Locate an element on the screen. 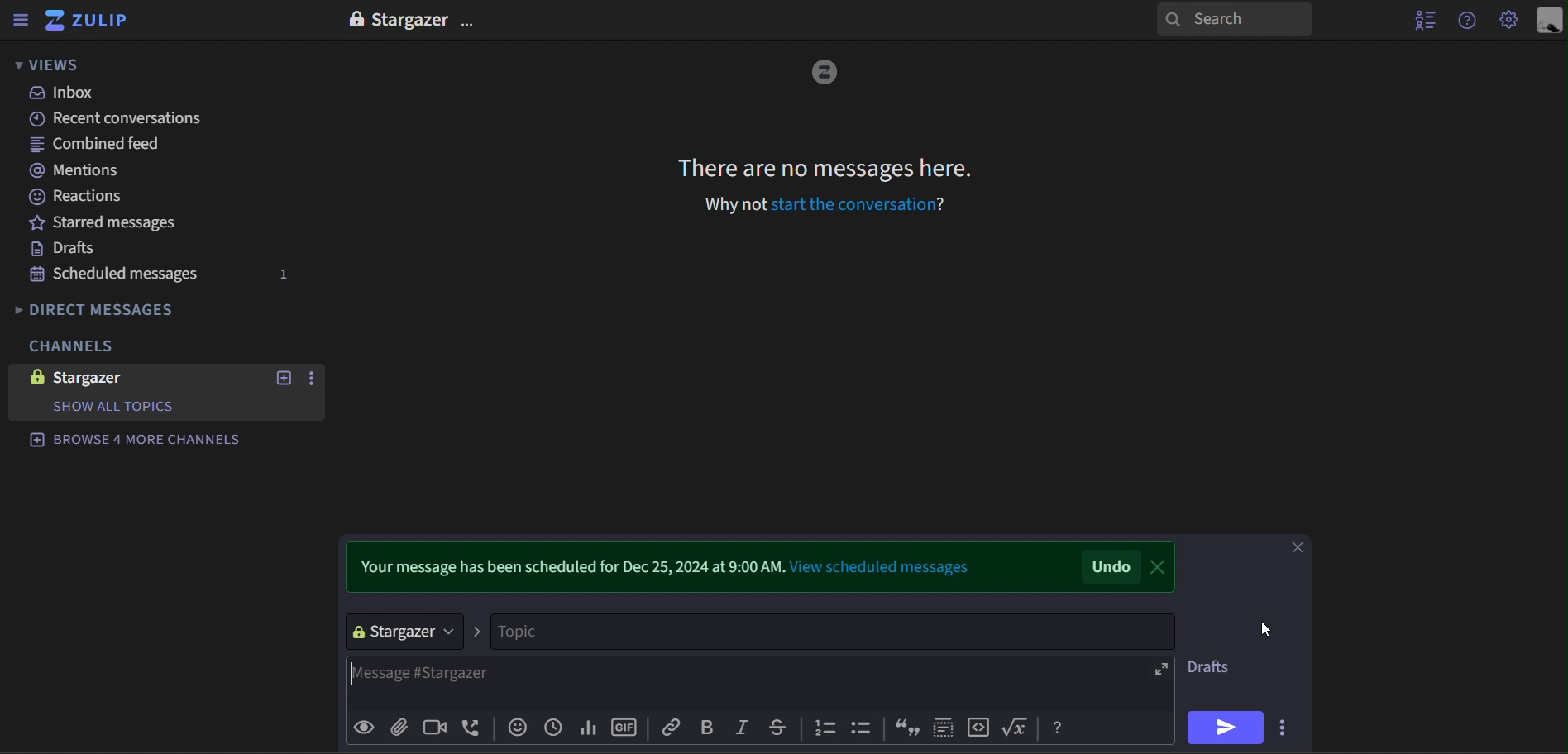  personal menu is located at coordinates (1547, 20).